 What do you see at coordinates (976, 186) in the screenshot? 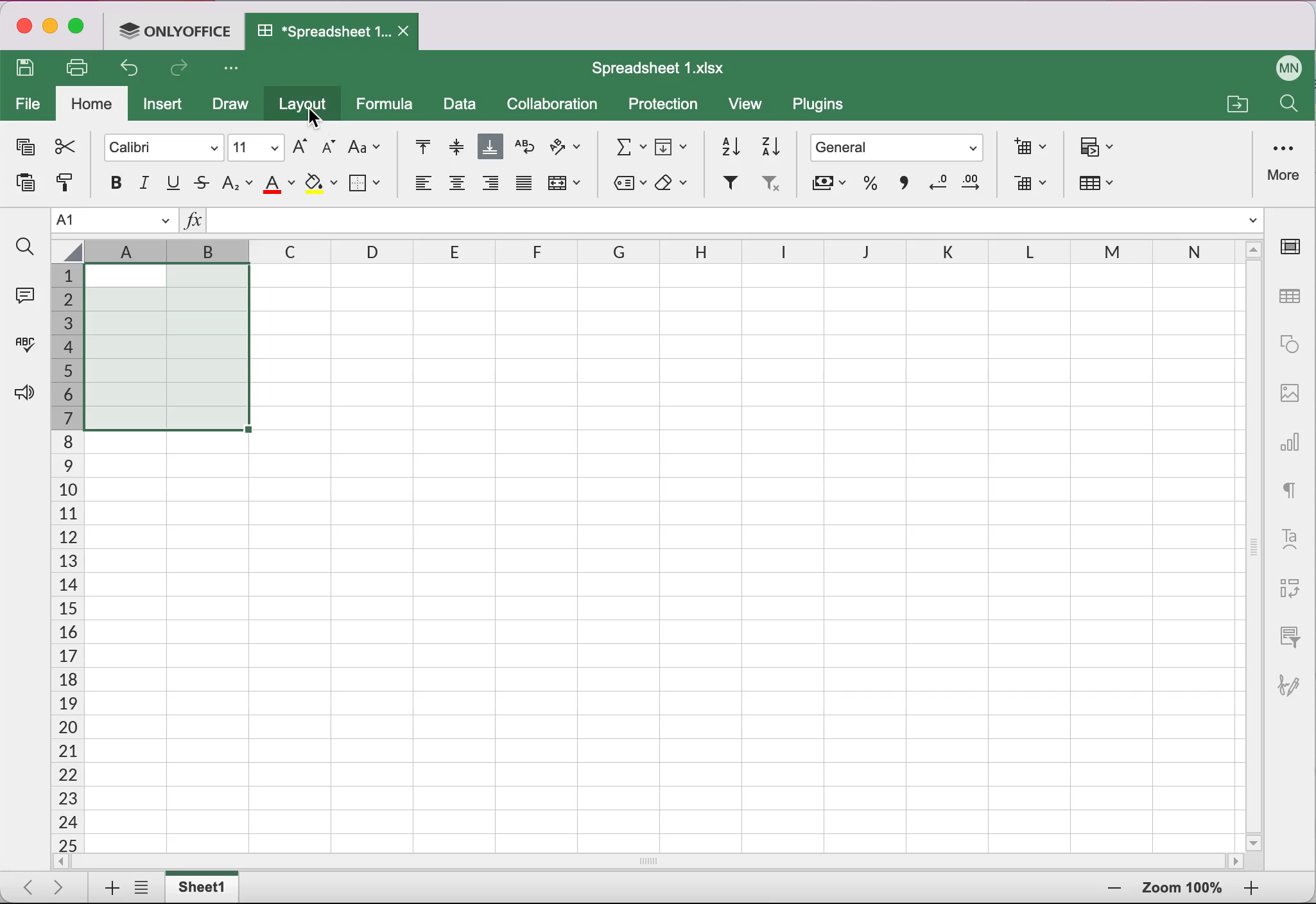
I see `increase decimal` at bounding box center [976, 186].